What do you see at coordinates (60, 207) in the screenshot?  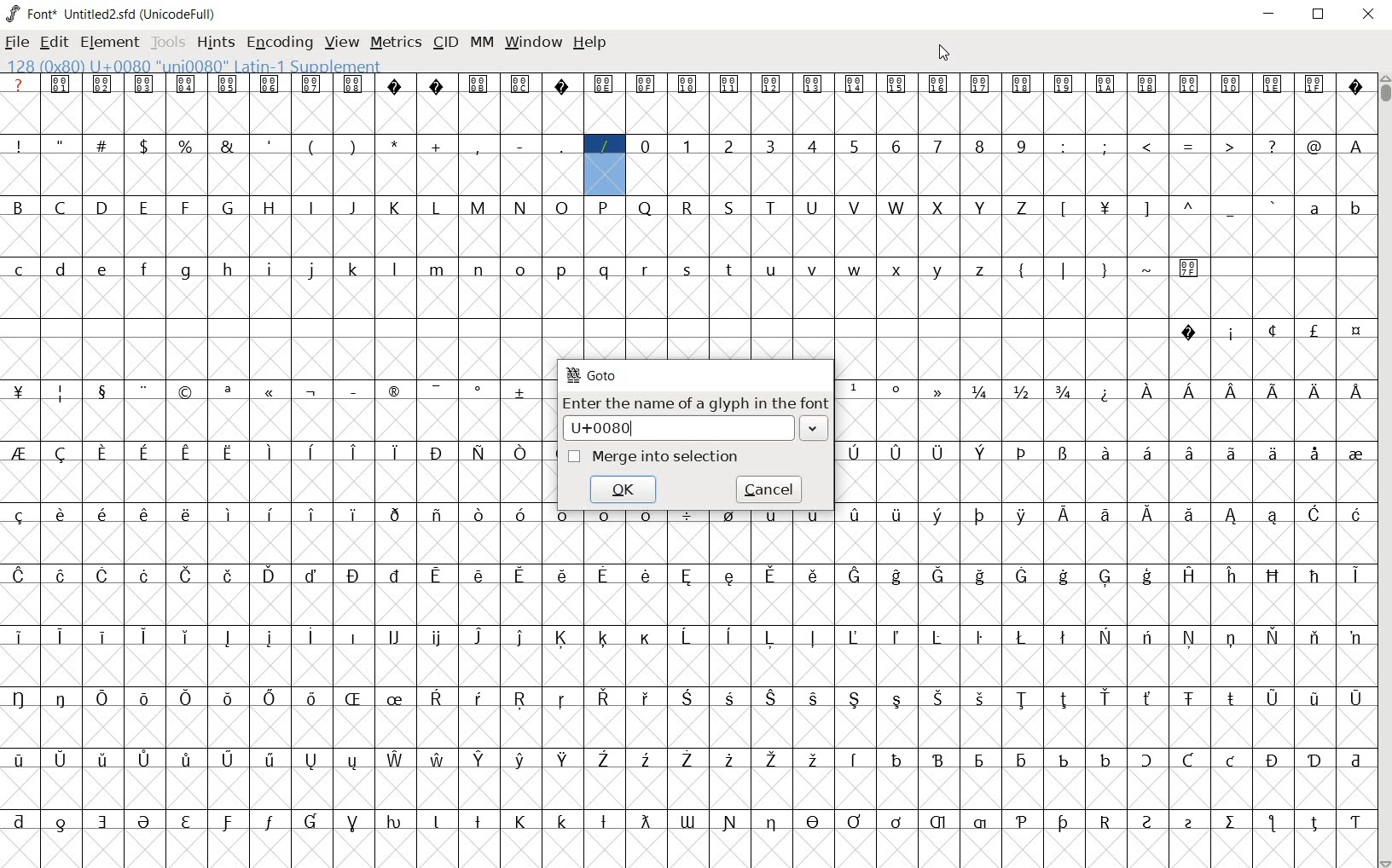 I see `glyph` at bounding box center [60, 207].